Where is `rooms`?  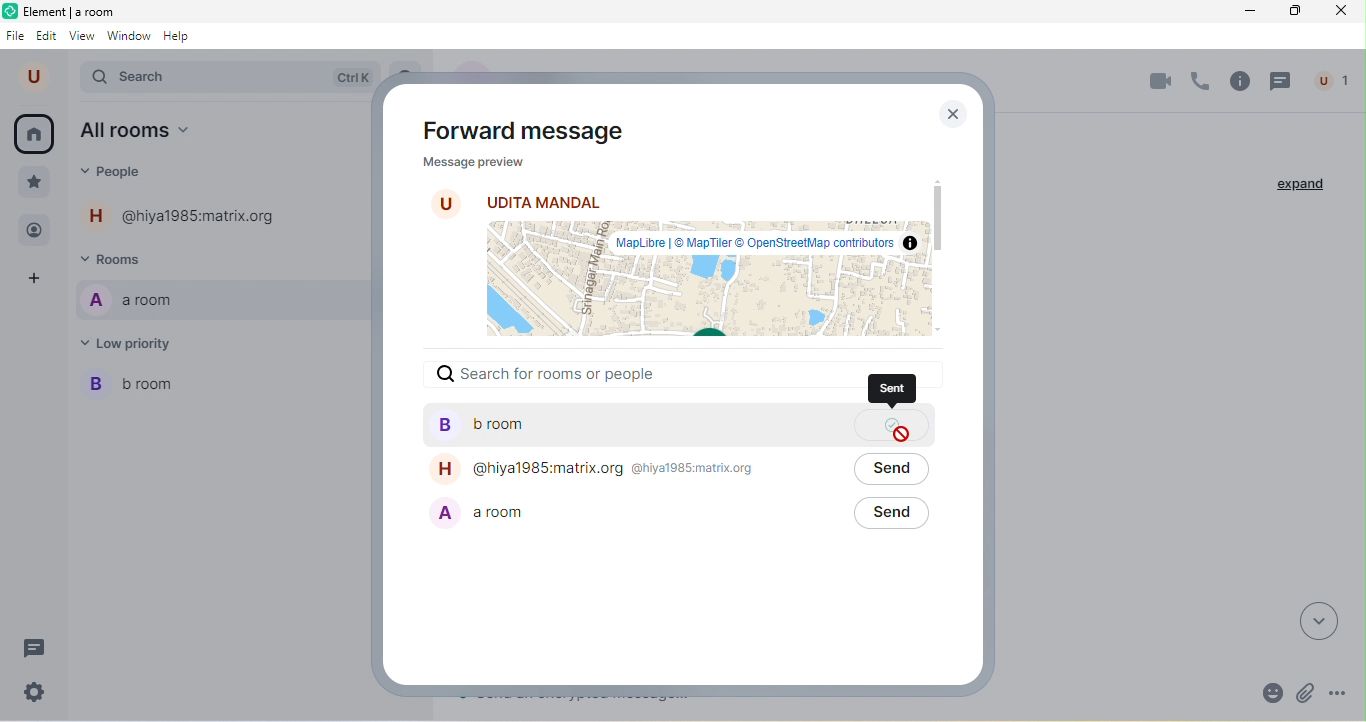 rooms is located at coordinates (124, 259).